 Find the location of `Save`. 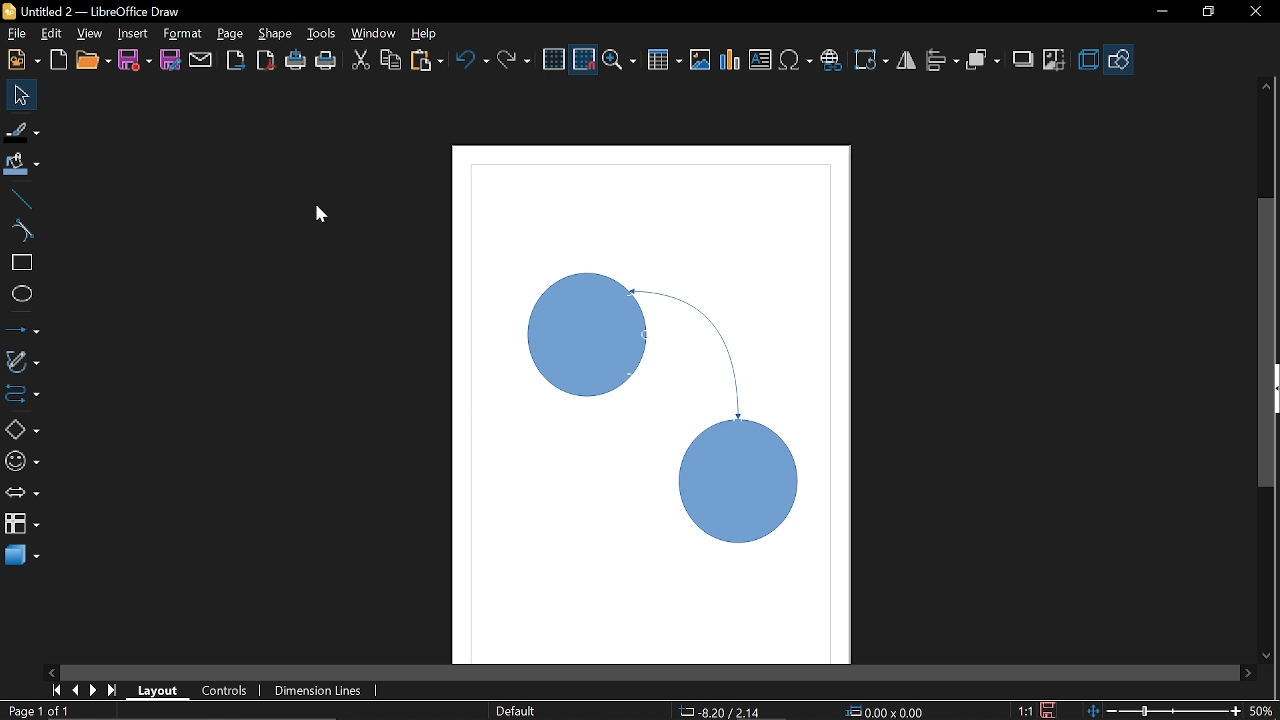

Save is located at coordinates (133, 60).